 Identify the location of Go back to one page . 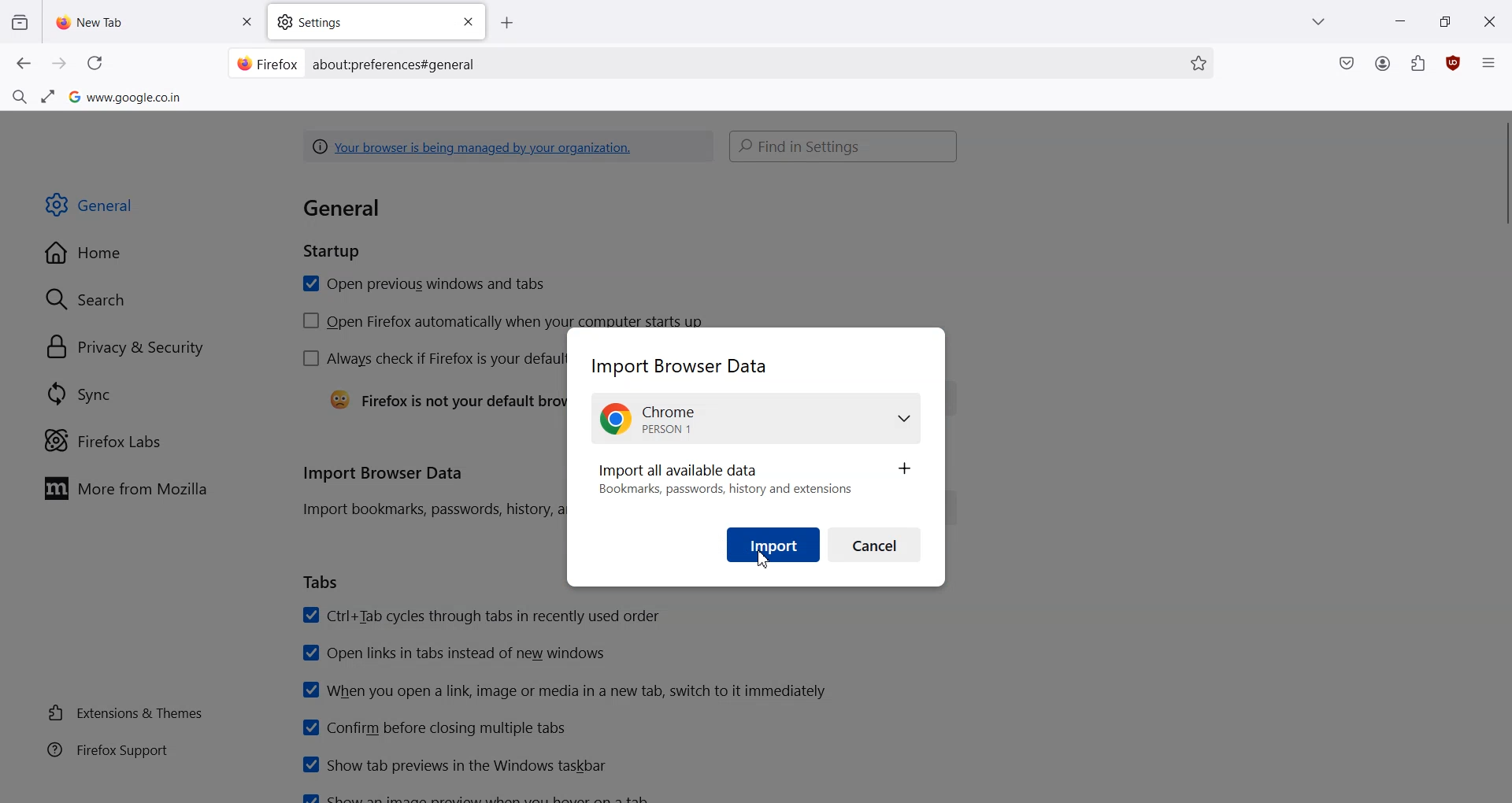
(24, 64).